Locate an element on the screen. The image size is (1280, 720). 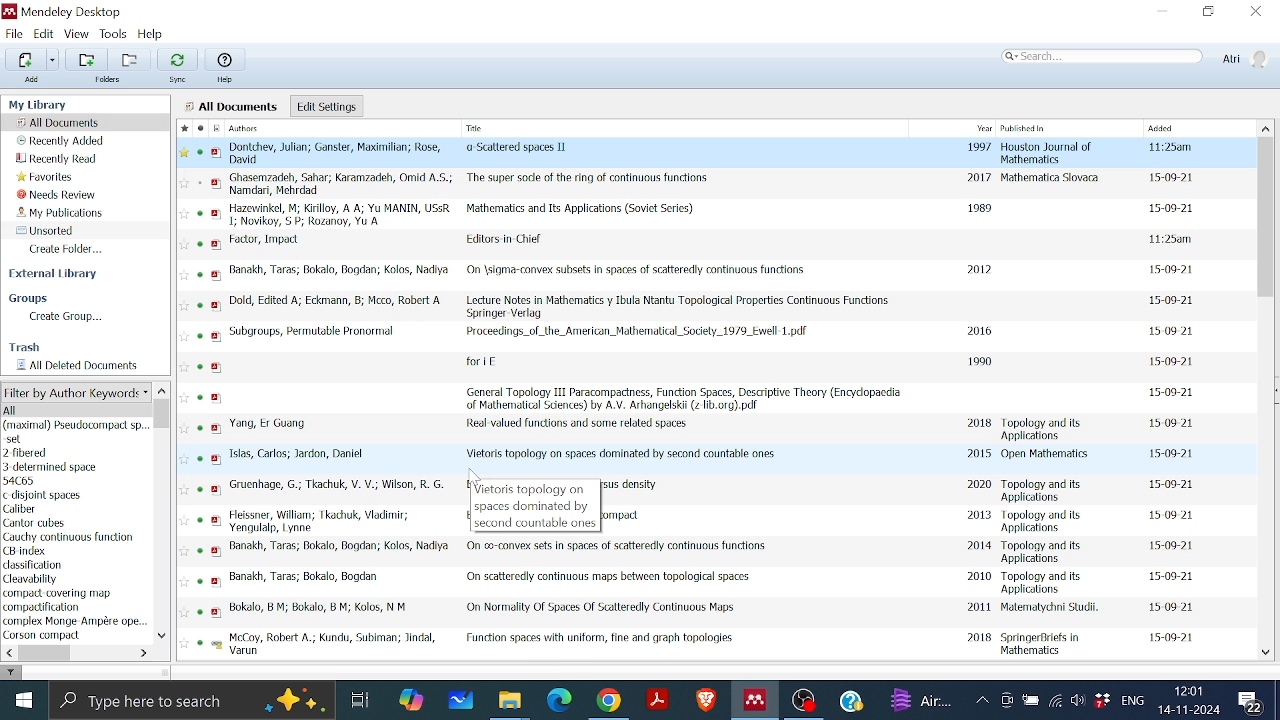
Title is located at coordinates (619, 455).